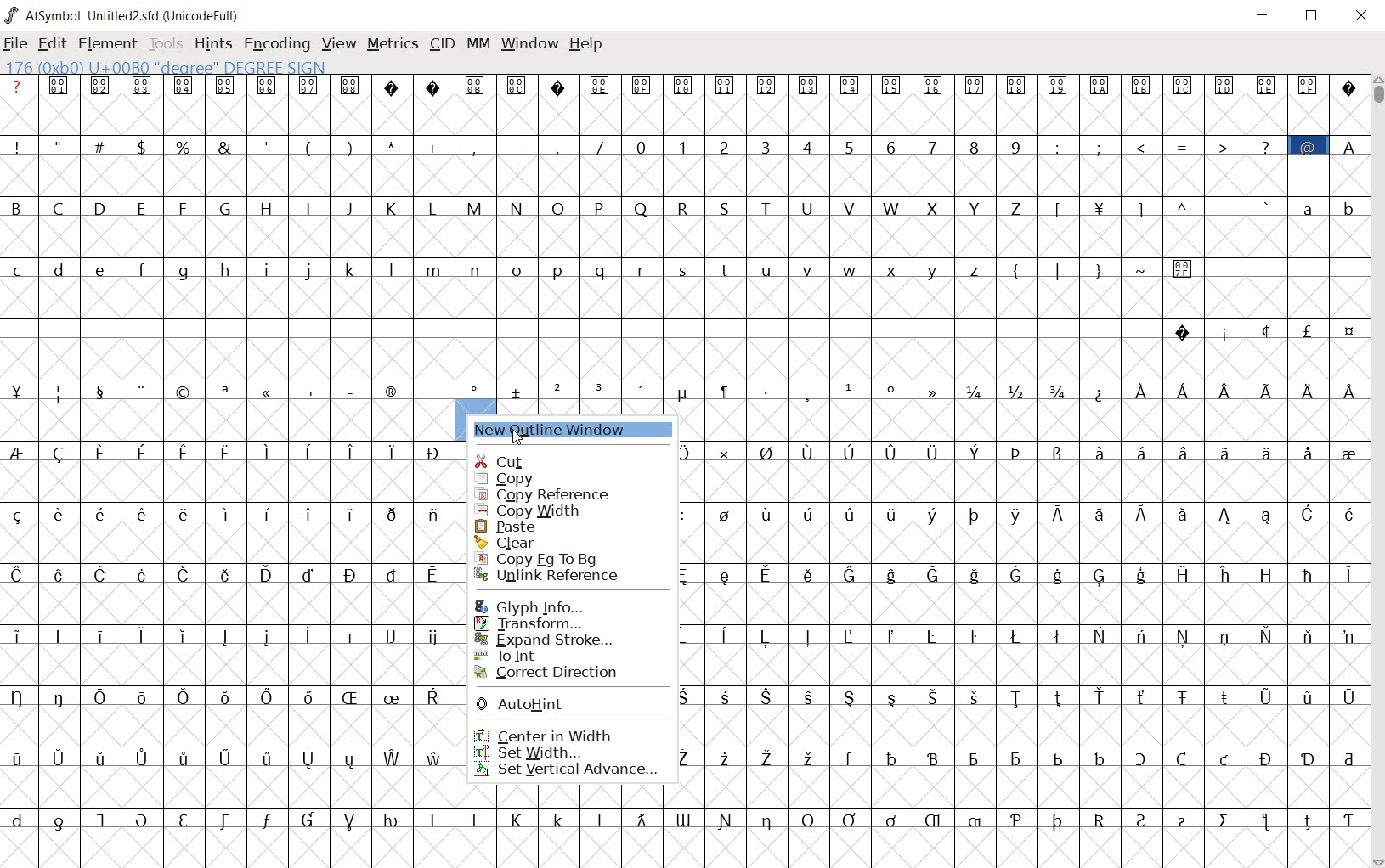 The image size is (1385, 868). What do you see at coordinates (682, 114) in the screenshot?
I see `empty glyph slots` at bounding box center [682, 114].